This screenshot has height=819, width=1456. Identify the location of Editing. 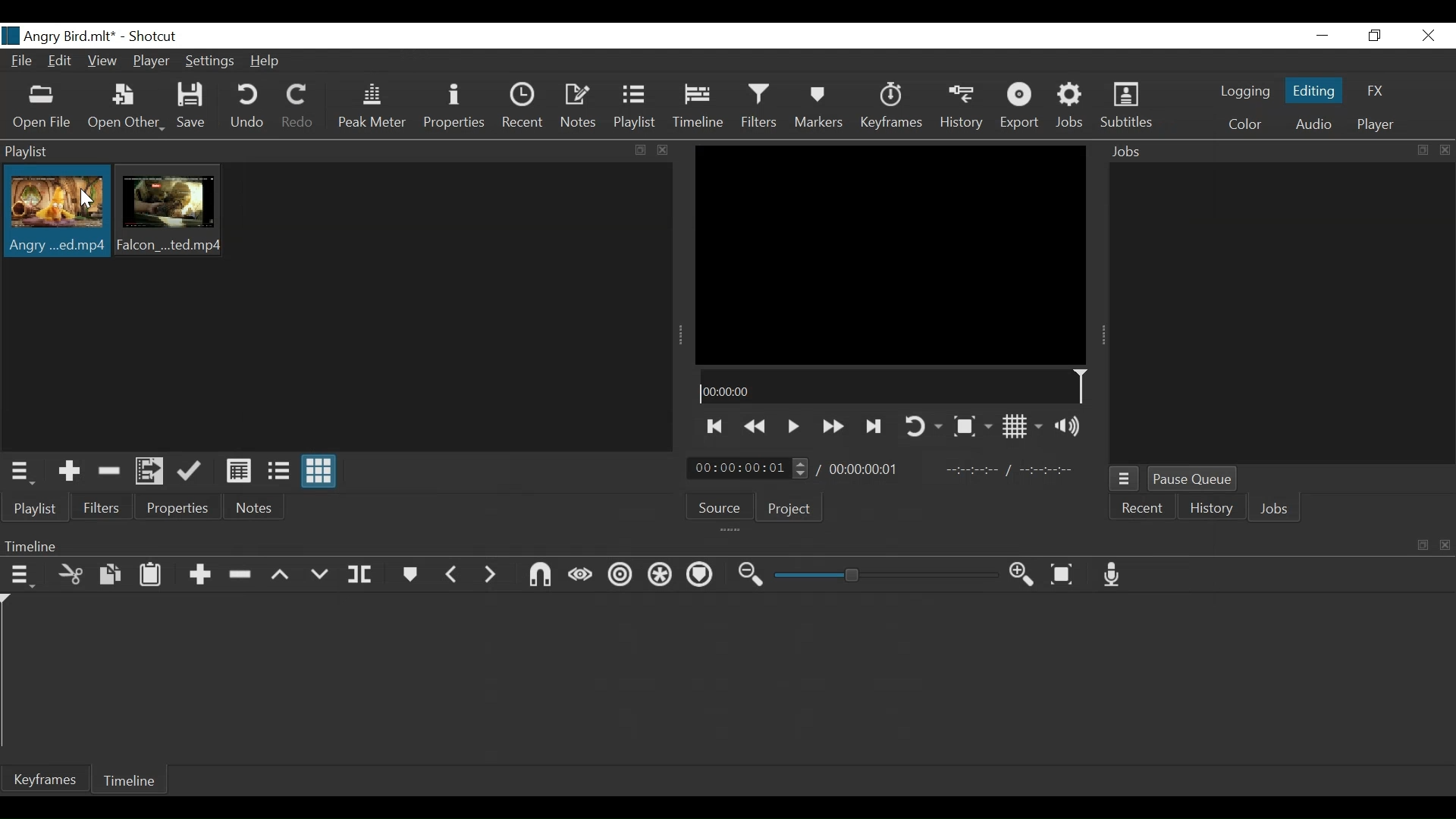
(1317, 89).